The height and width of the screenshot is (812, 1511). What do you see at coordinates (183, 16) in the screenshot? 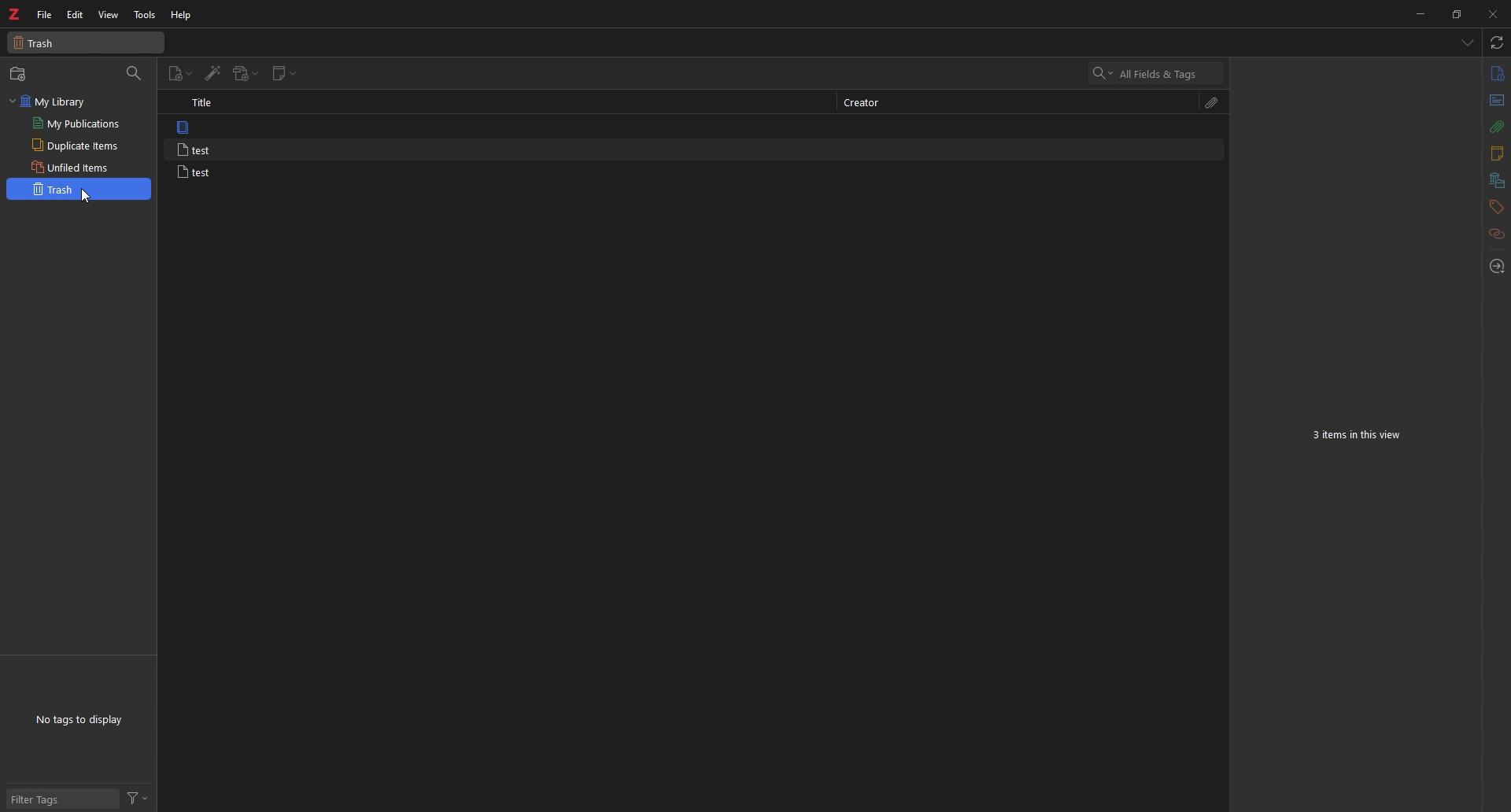
I see `help` at bounding box center [183, 16].